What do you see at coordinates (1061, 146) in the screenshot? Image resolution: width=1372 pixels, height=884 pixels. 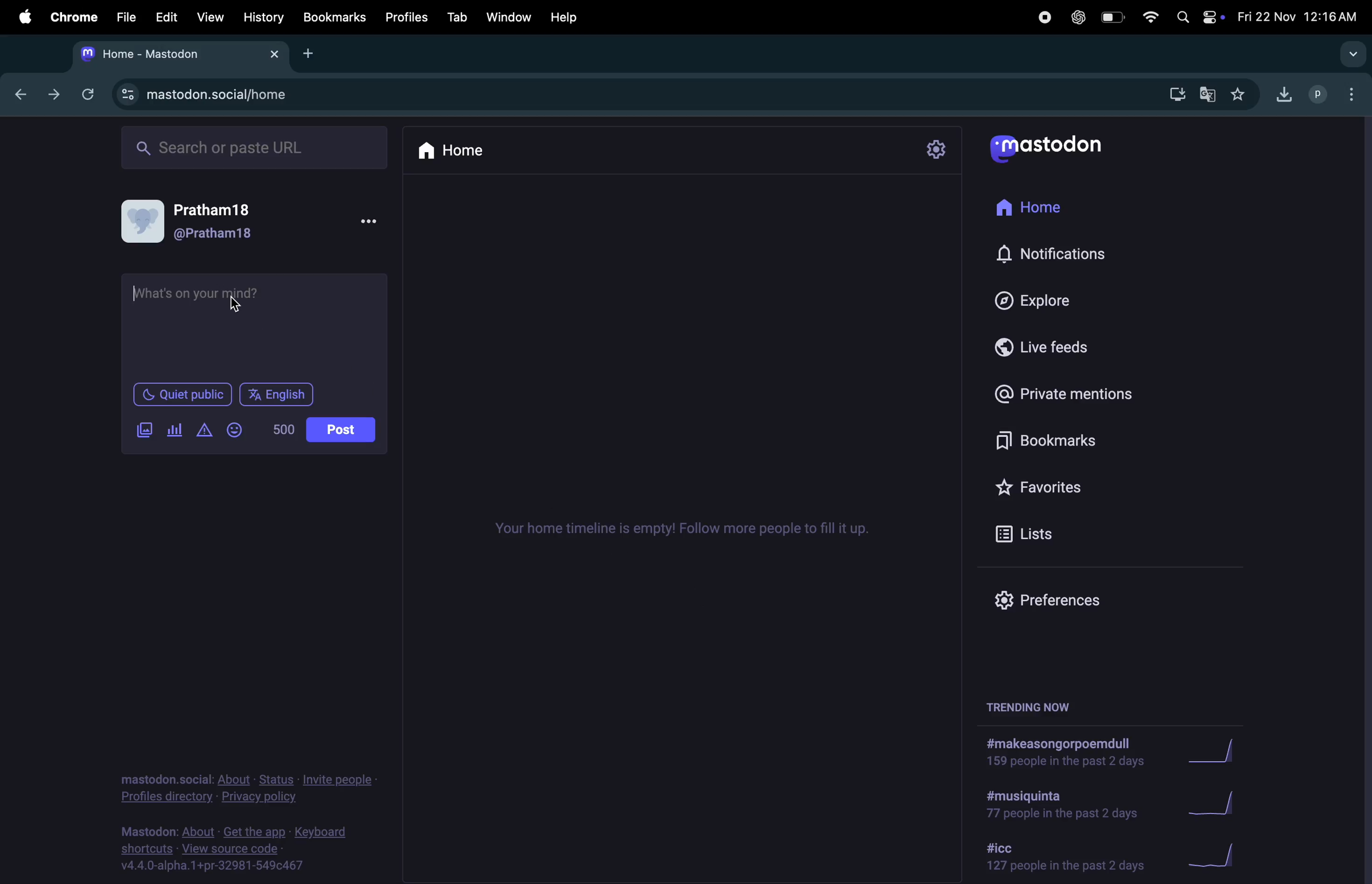 I see `mastodon logo` at bounding box center [1061, 146].